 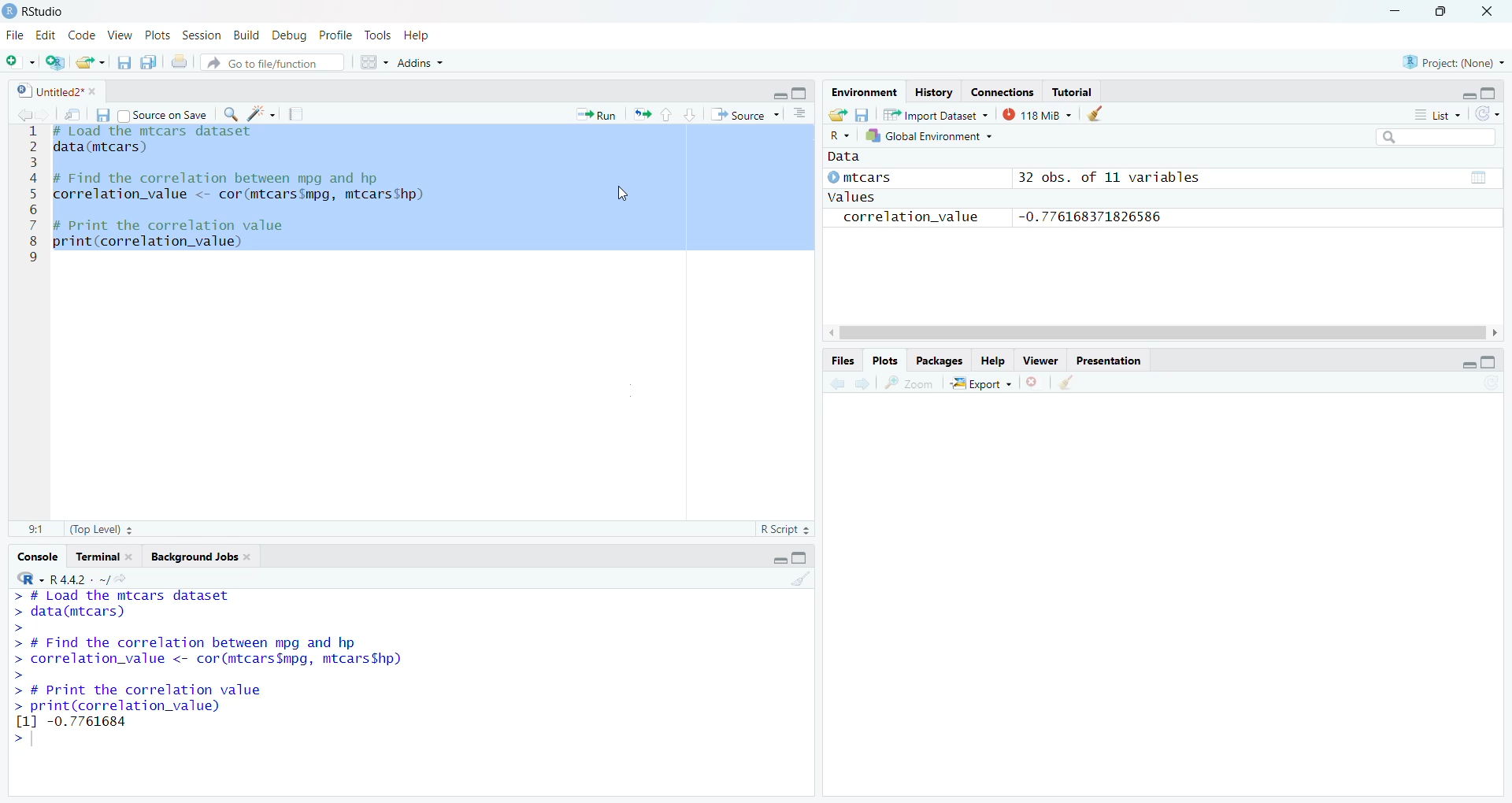 I want to click on Edit, so click(x=43, y=37).